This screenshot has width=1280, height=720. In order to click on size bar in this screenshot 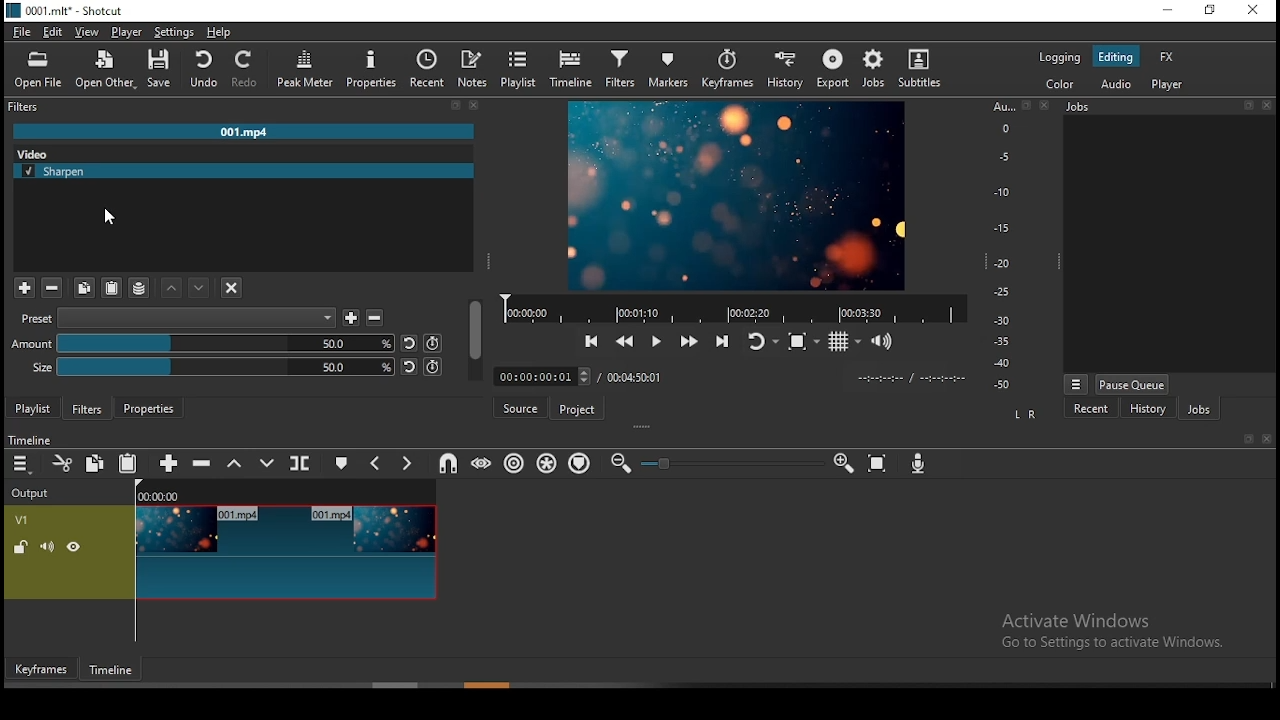, I will do `click(230, 366)`.